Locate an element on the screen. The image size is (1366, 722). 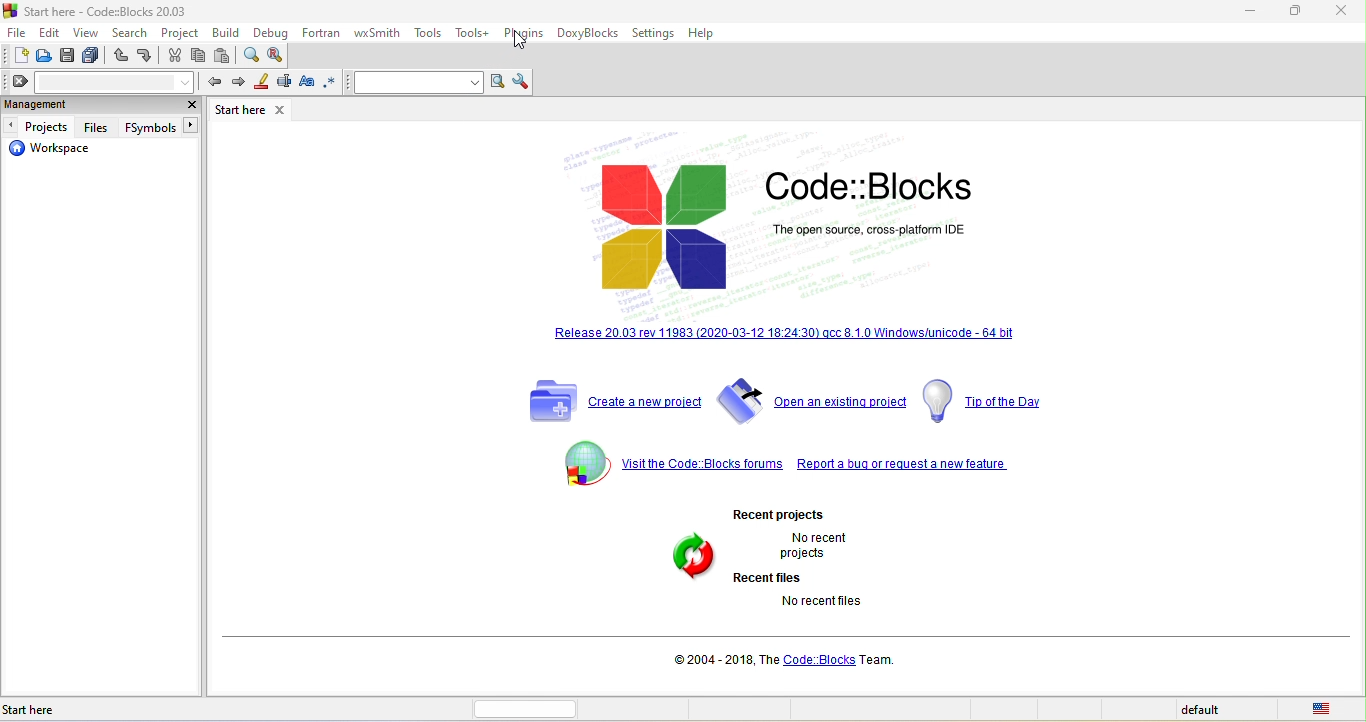
start here is located at coordinates (70, 708).